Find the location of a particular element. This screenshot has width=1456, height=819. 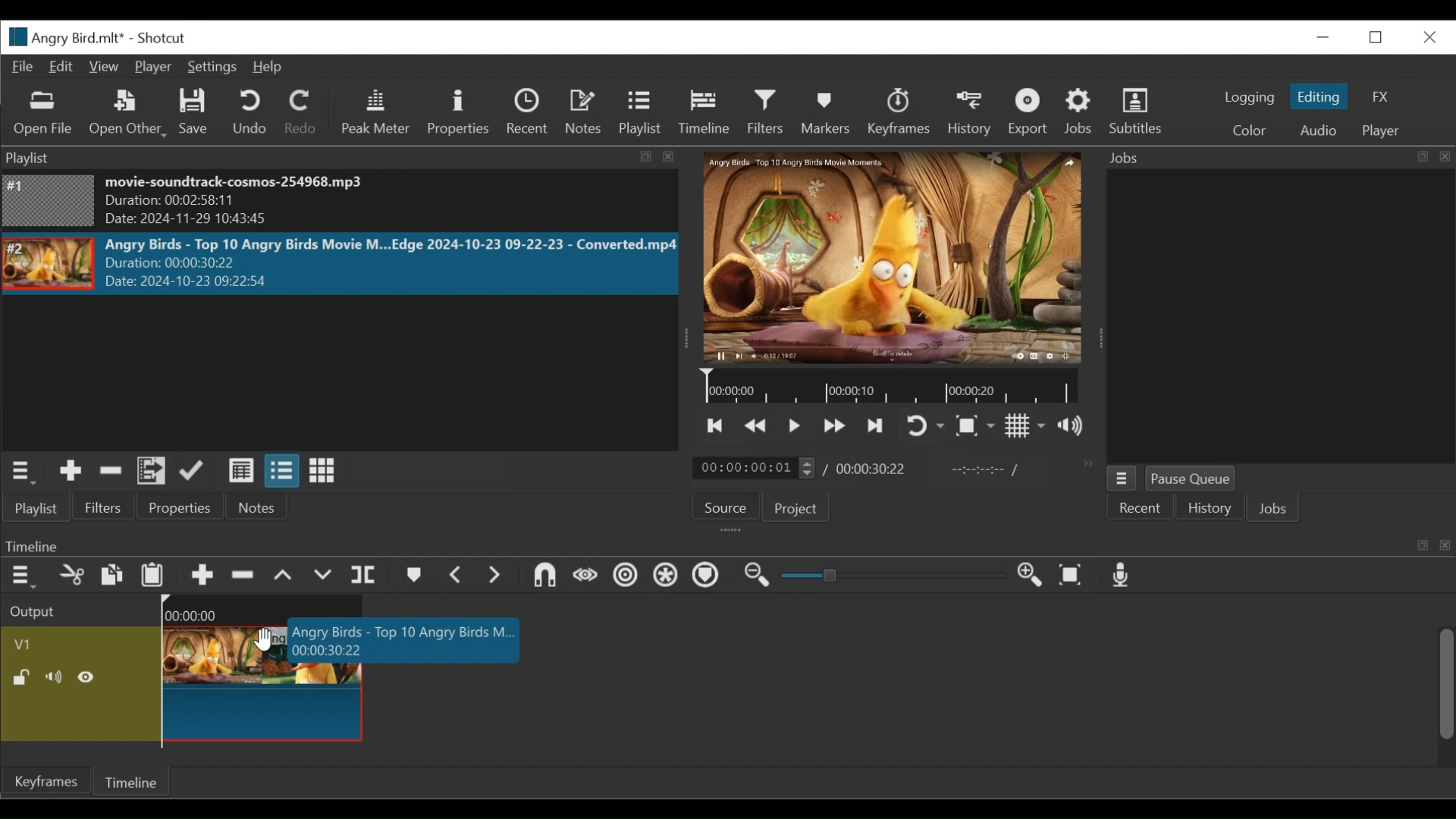

movie-soundtrack-cosmos-254968.mp3
Duration: 00:02:58:11
Date: 2024-11-29 10:43:45 is located at coordinates (268, 202).